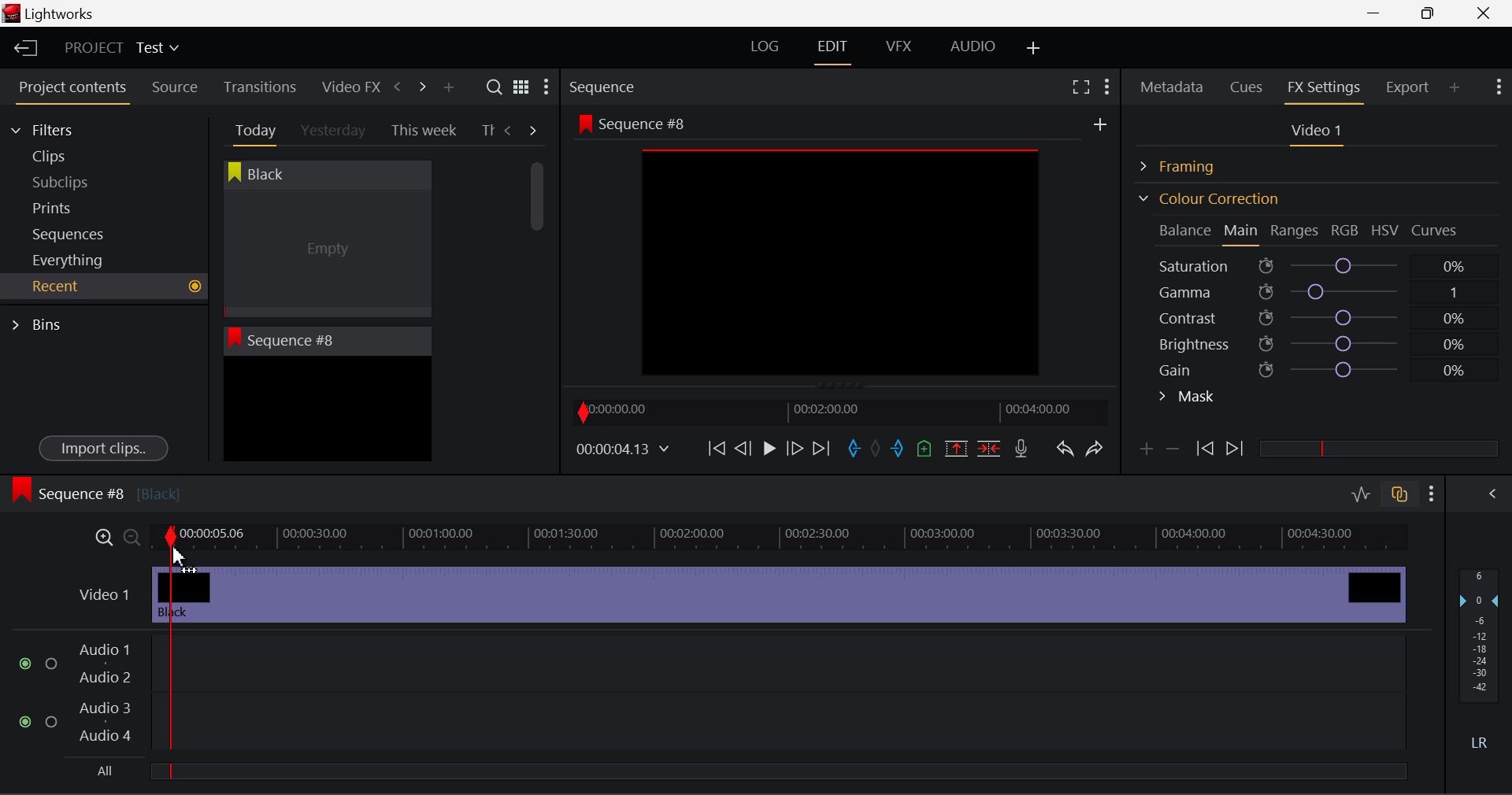 The height and width of the screenshot is (795, 1512). Describe the element at coordinates (1385, 230) in the screenshot. I see `HSV` at that location.